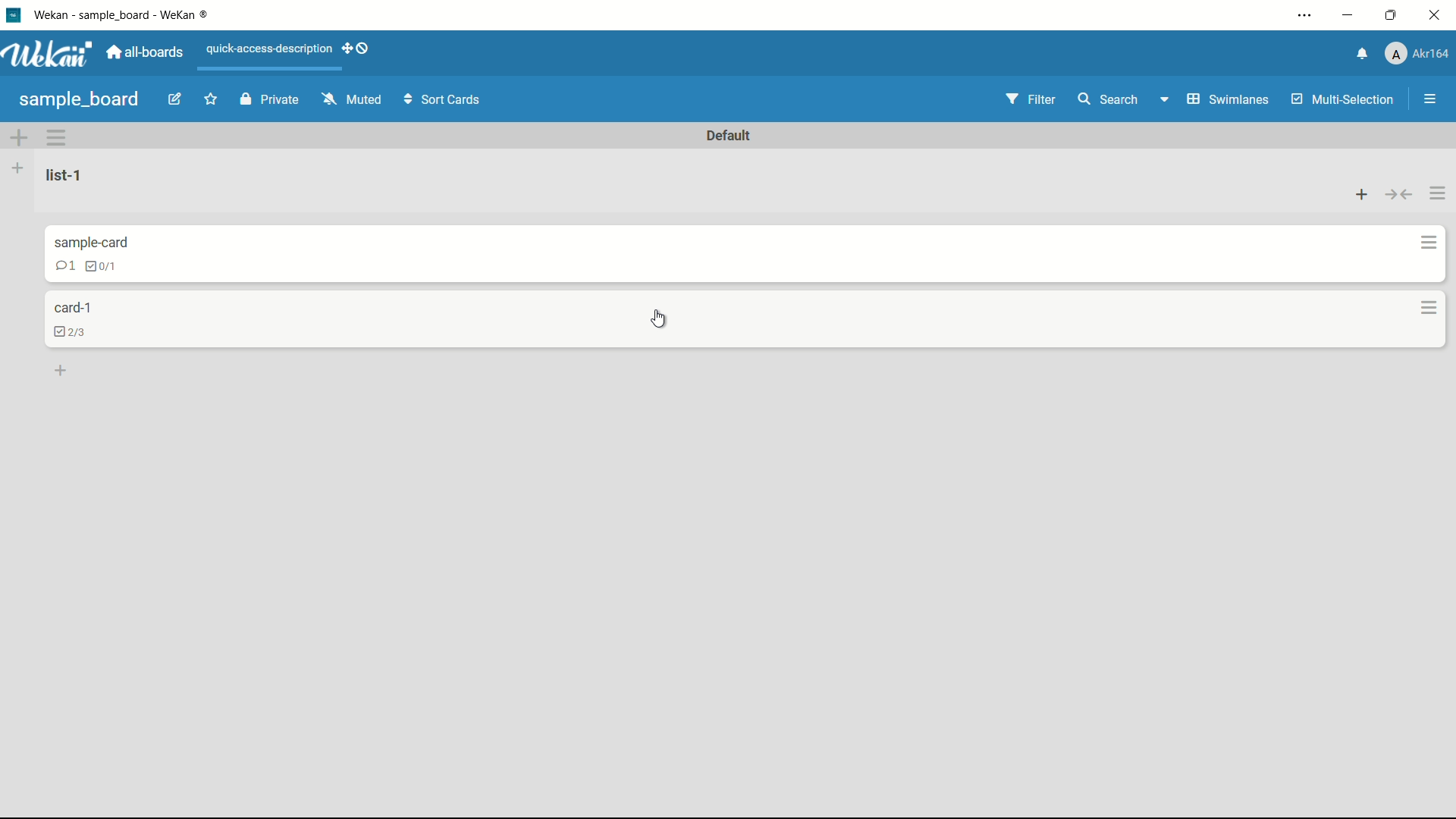  I want to click on card name, so click(89, 242).